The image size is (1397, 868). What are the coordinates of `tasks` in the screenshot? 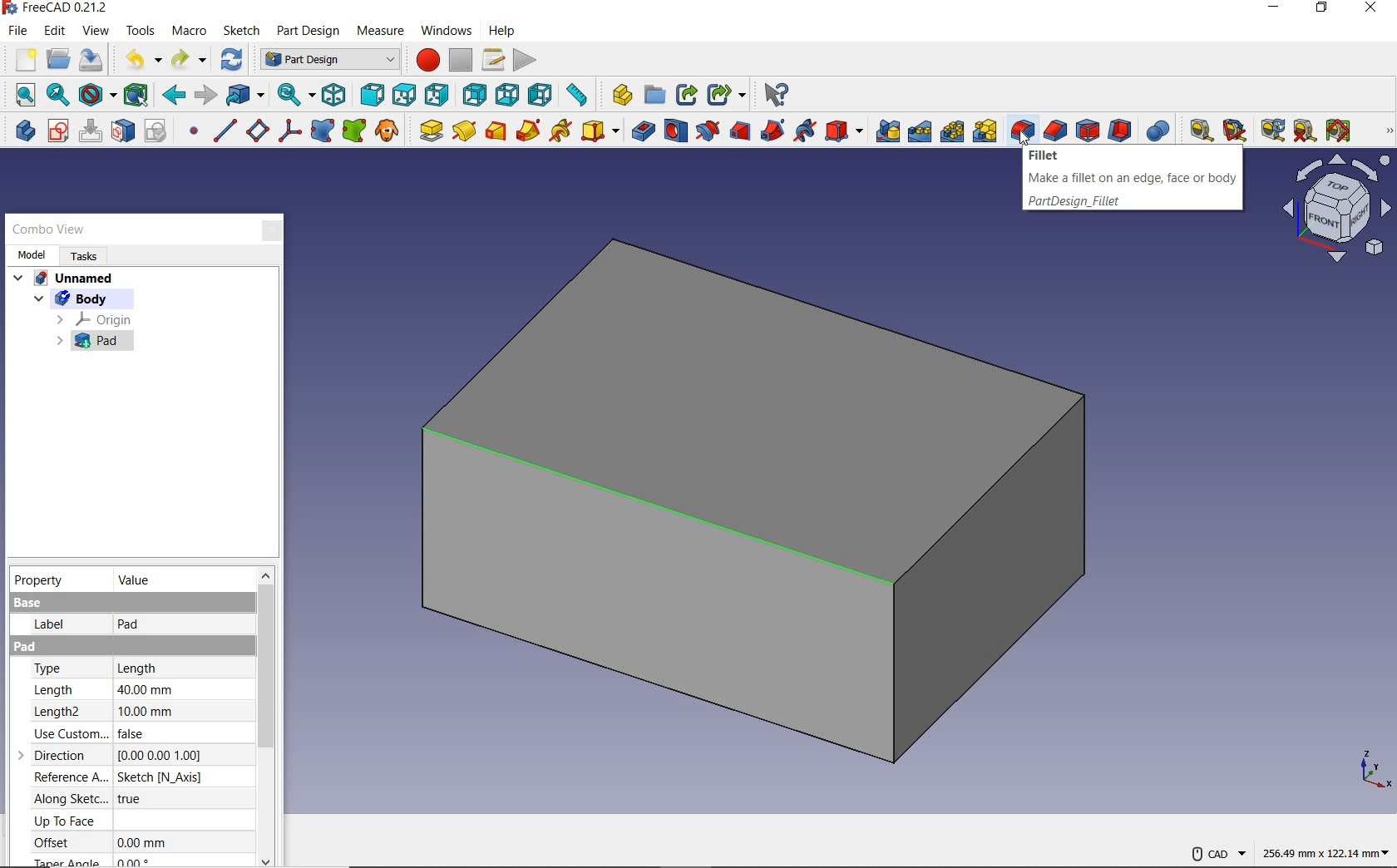 It's located at (84, 259).